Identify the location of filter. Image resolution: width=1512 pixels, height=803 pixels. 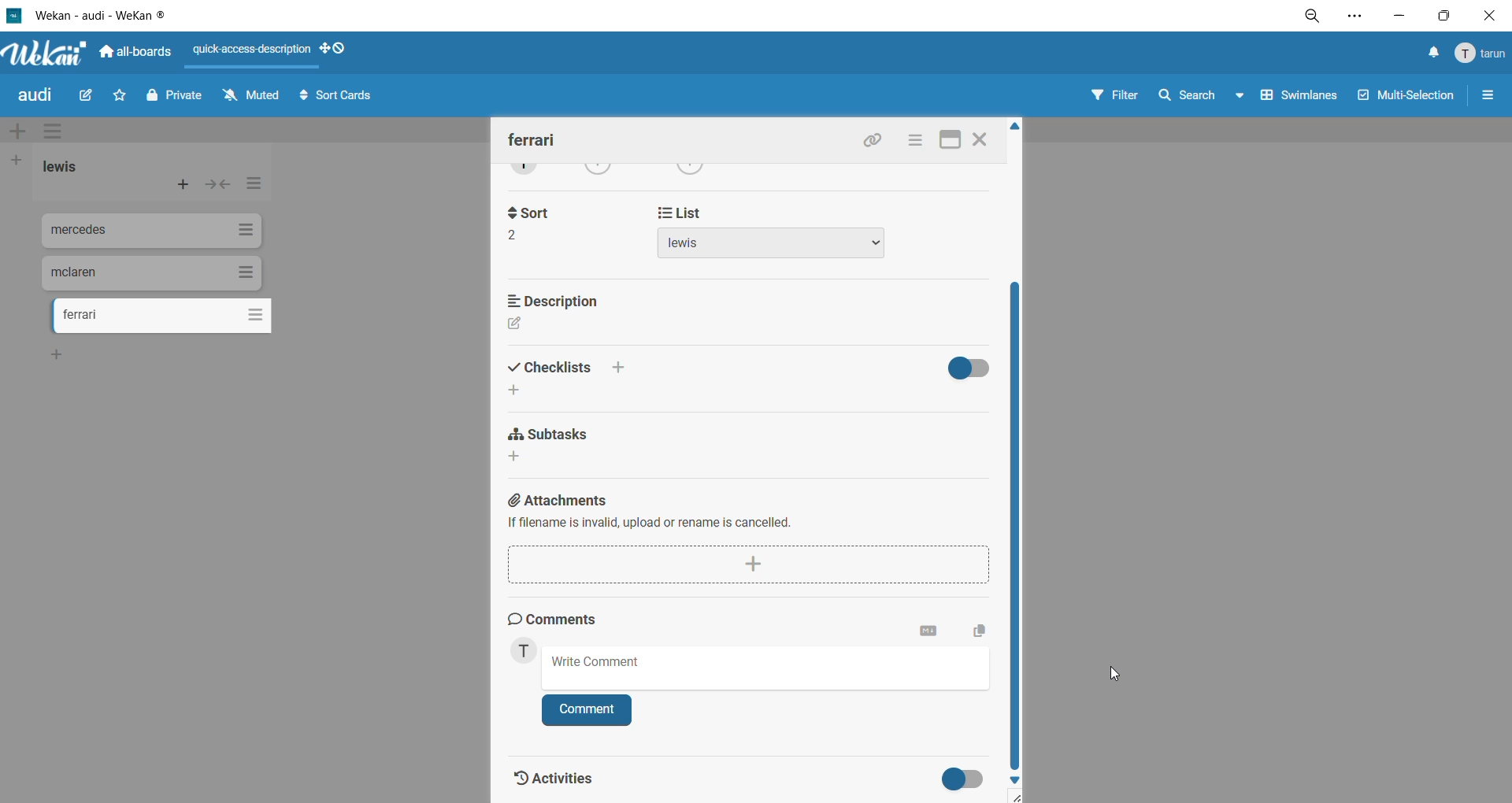
(1119, 98).